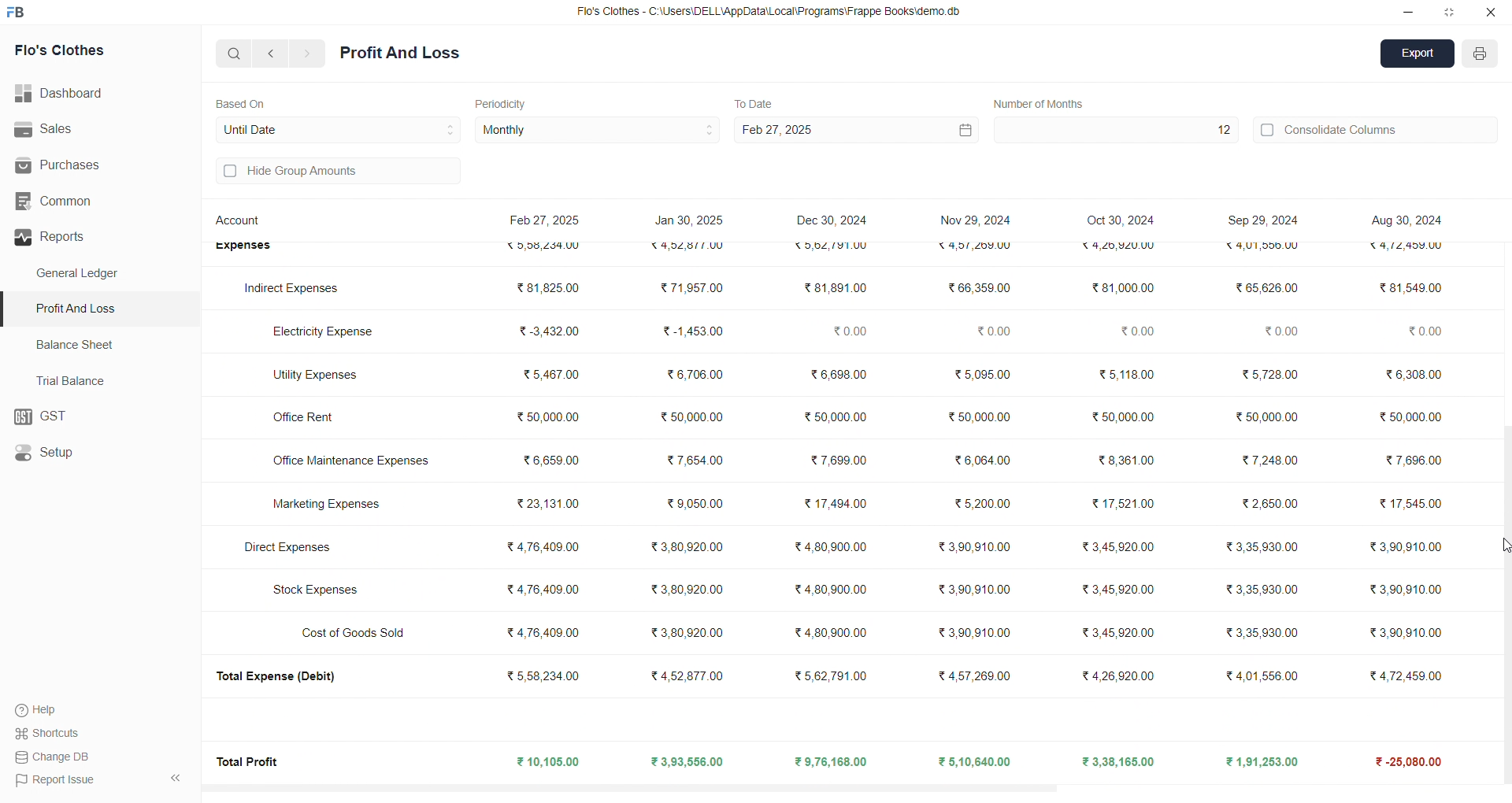 This screenshot has height=803, width=1512. I want to click on Feb 27, 2025, so click(547, 222).